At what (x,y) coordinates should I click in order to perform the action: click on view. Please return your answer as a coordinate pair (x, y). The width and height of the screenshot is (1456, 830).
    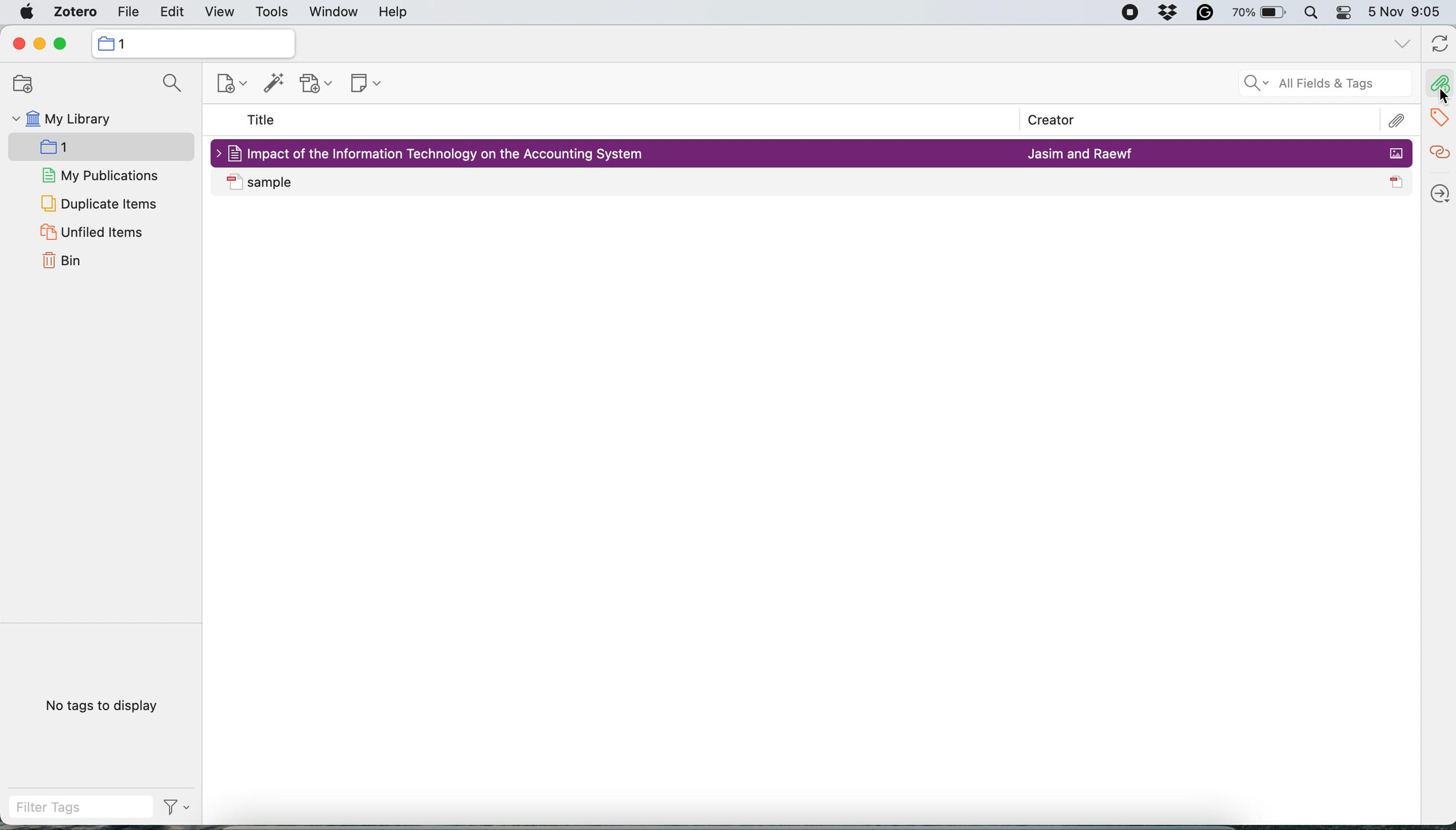
    Looking at the image, I should click on (219, 13).